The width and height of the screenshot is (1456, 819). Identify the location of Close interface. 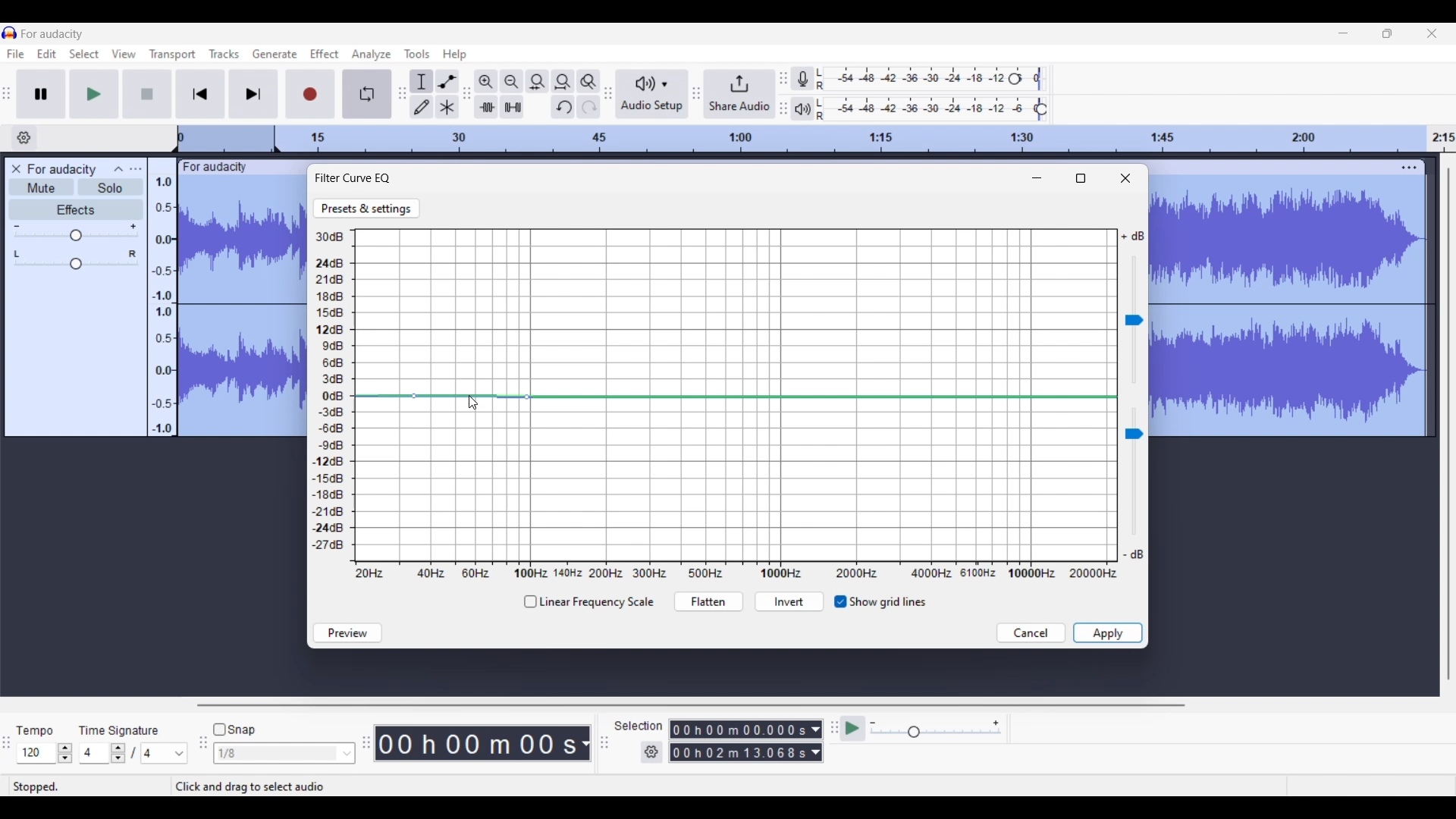
(1432, 33).